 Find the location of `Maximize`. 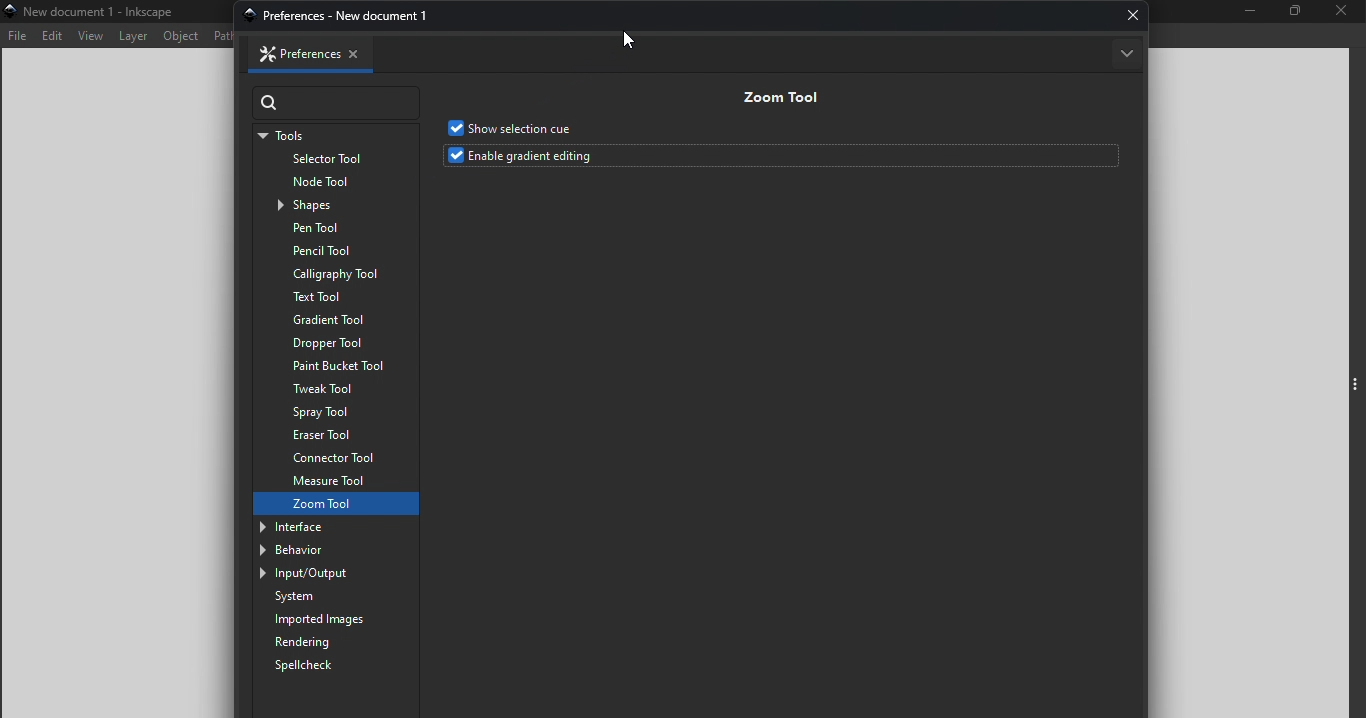

Maximize is located at coordinates (1293, 14).